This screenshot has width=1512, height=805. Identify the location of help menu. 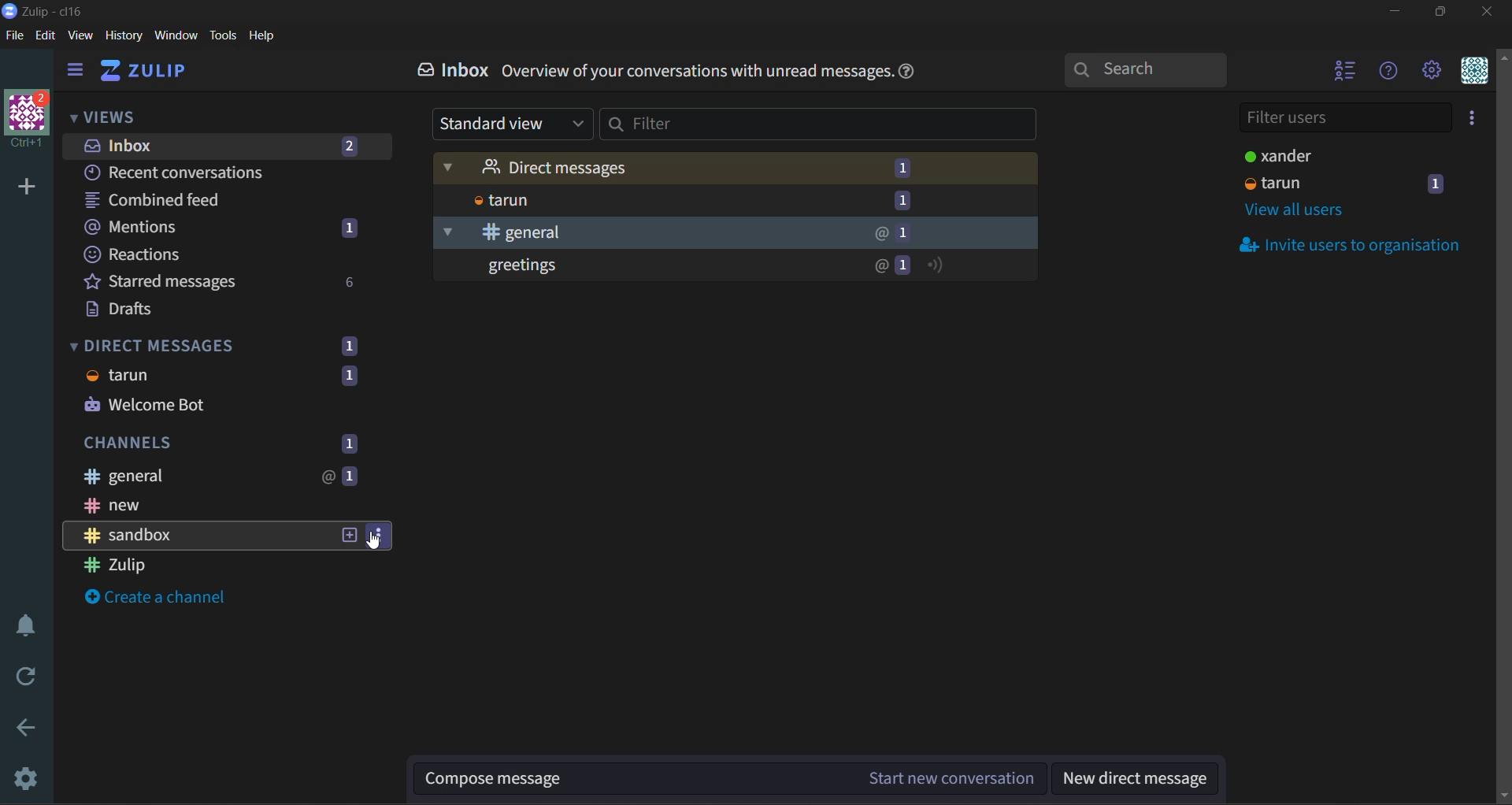
(1388, 72).